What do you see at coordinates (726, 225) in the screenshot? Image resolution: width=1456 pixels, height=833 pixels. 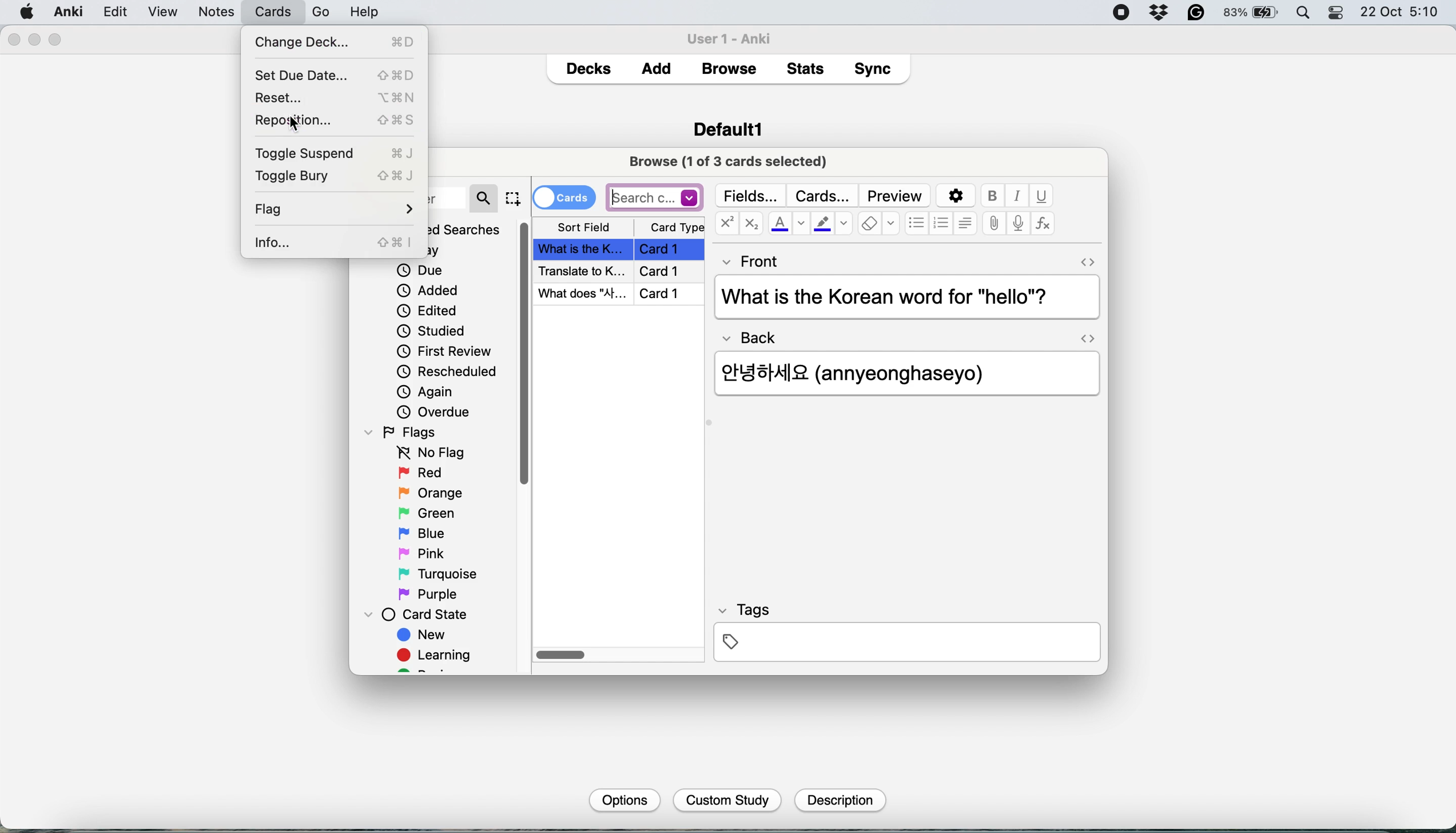 I see `superscript` at bounding box center [726, 225].